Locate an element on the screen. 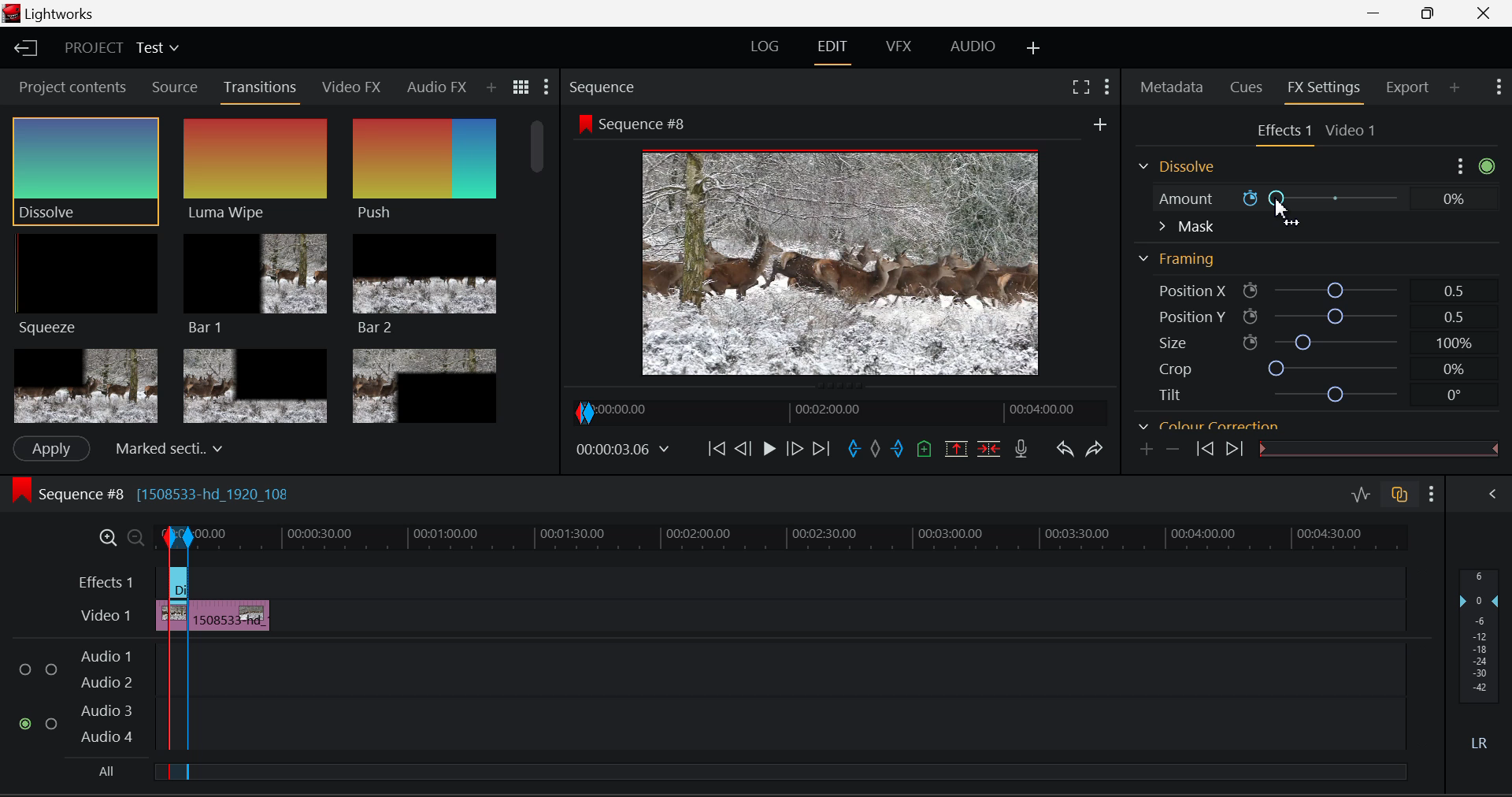 The height and width of the screenshot is (797, 1512). Scroll Bar is located at coordinates (541, 267).